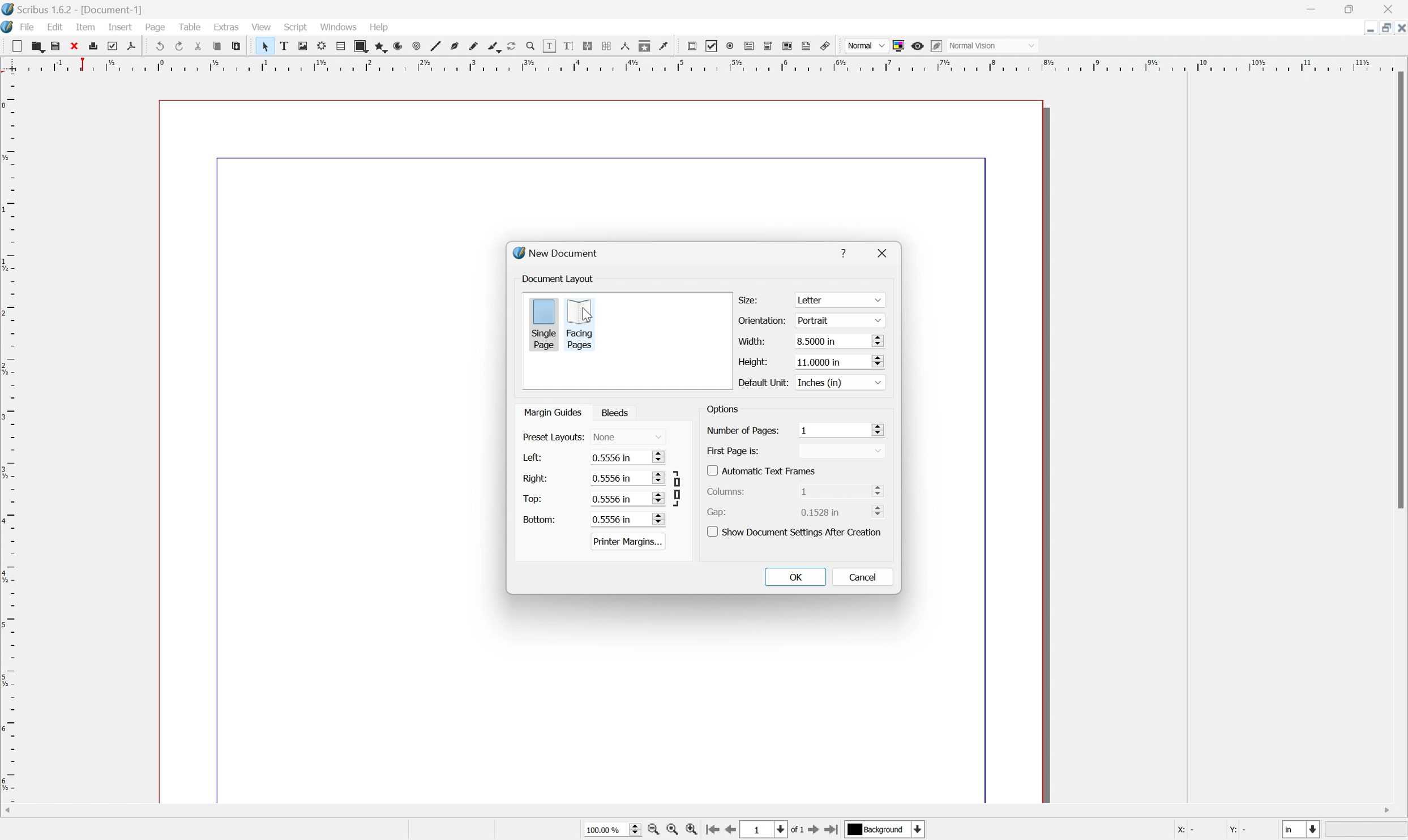 The image size is (1408, 840). Describe the element at coordinates (750, 340) in the screenshot. I see `width:` at that location.